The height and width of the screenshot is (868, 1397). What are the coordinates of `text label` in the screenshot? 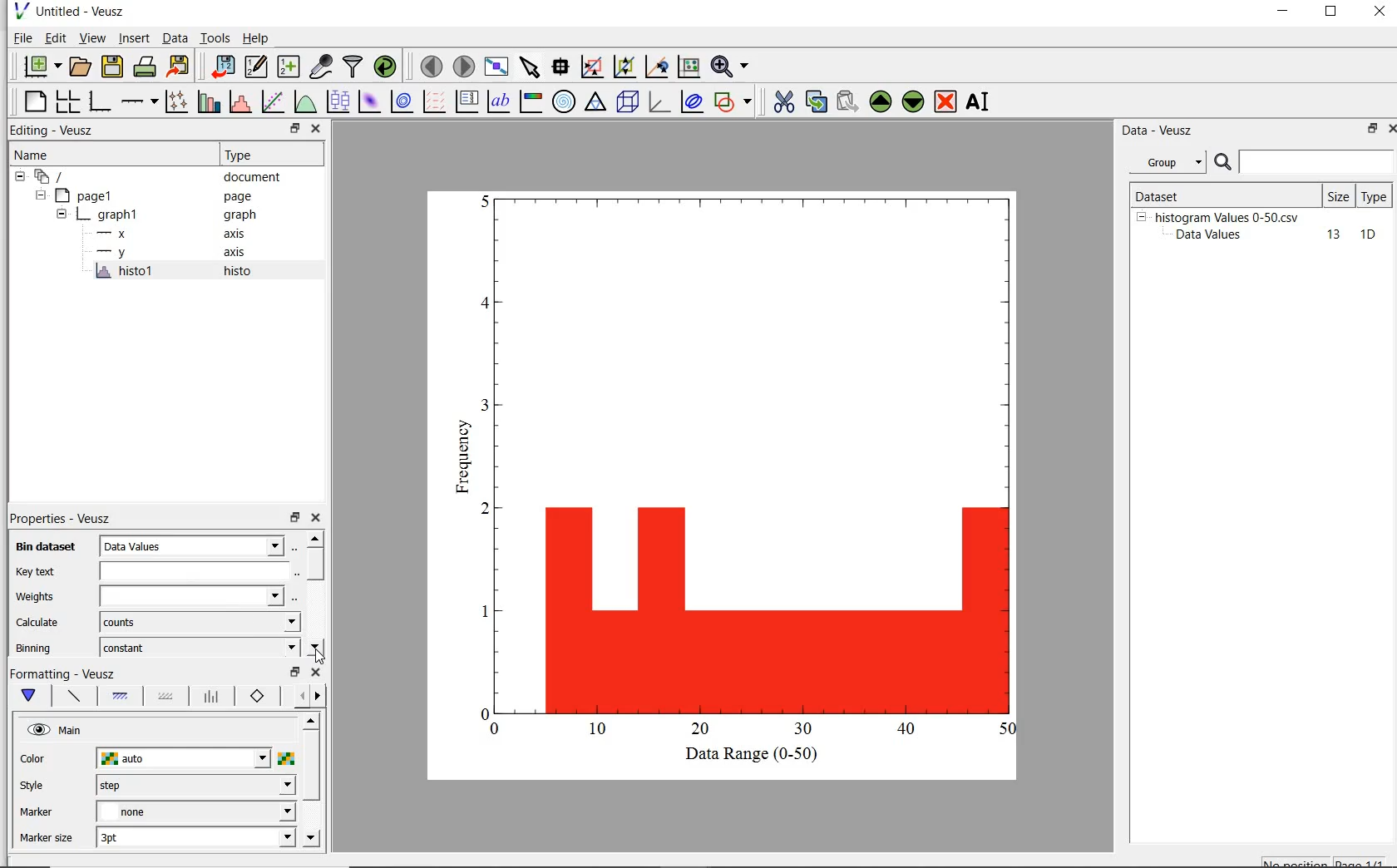 It's located at (501, 100).